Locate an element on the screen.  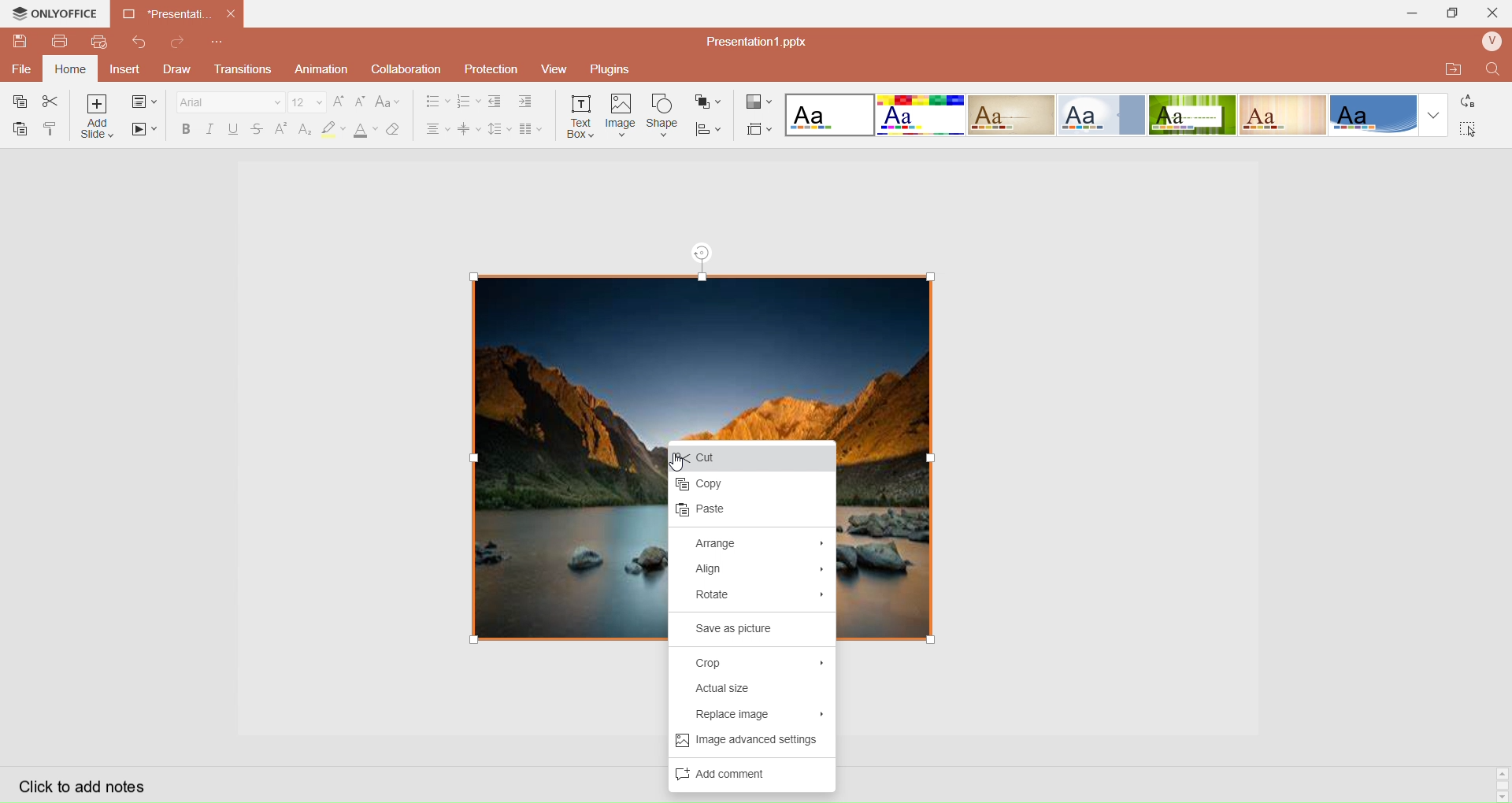
Presentation? pptx is located at coordinates (756, 41).